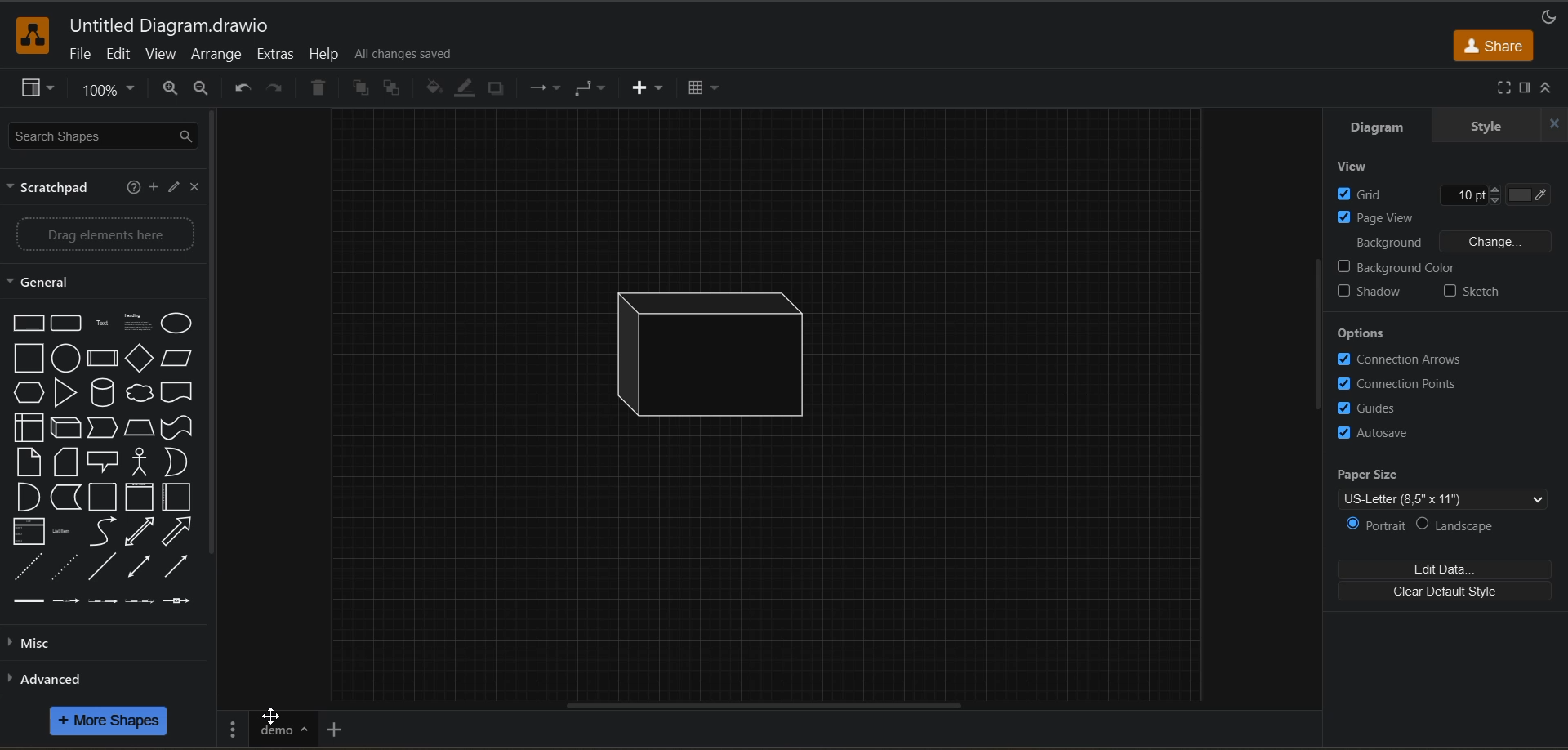 This screenshot has width=1568, height=750. Describe the element at coordinates (136, 188) in the screenshot. I see `help` at that location.